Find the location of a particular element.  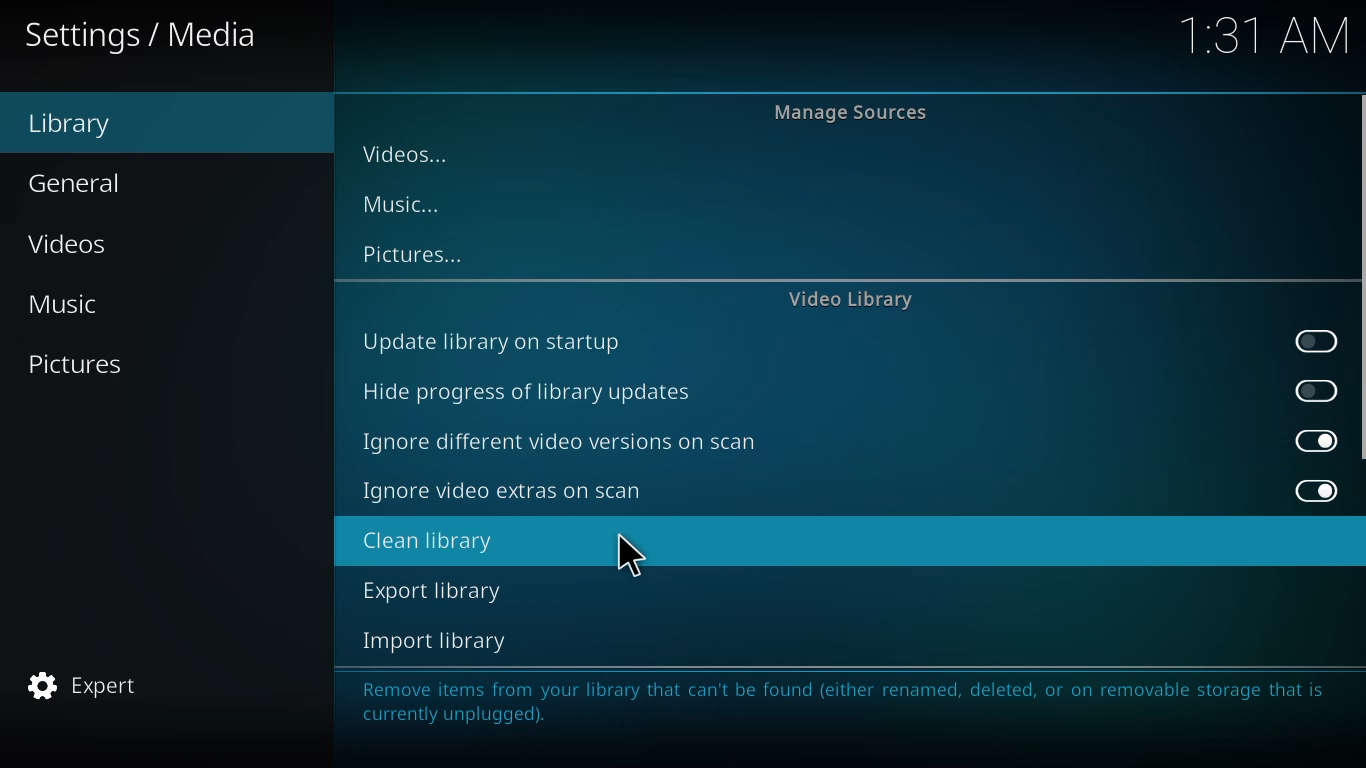

enabled is located at coordinates (1316, 441).